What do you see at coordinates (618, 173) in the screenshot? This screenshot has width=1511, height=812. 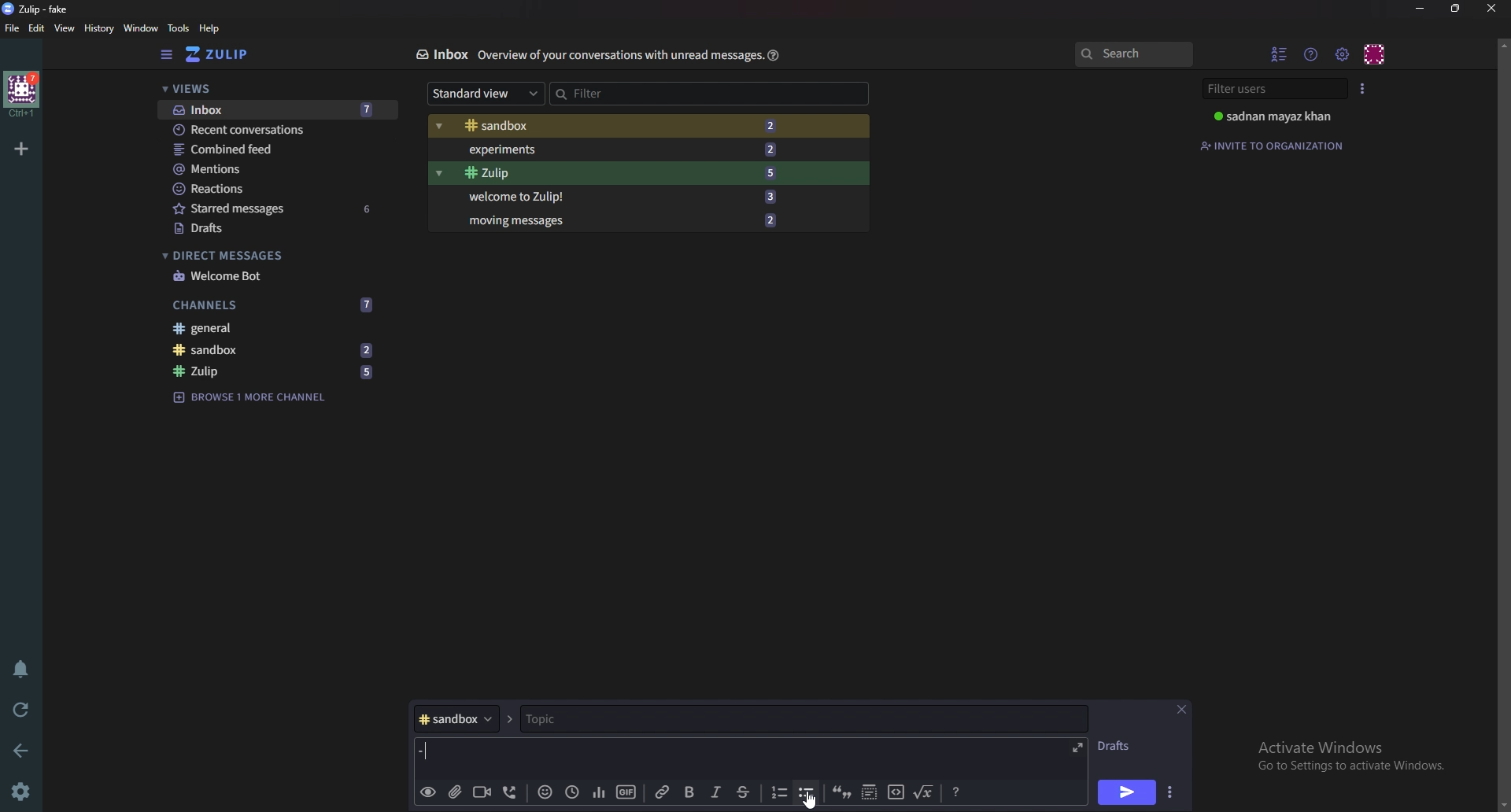 I see `Zulip` at bounding box center [618, 173].